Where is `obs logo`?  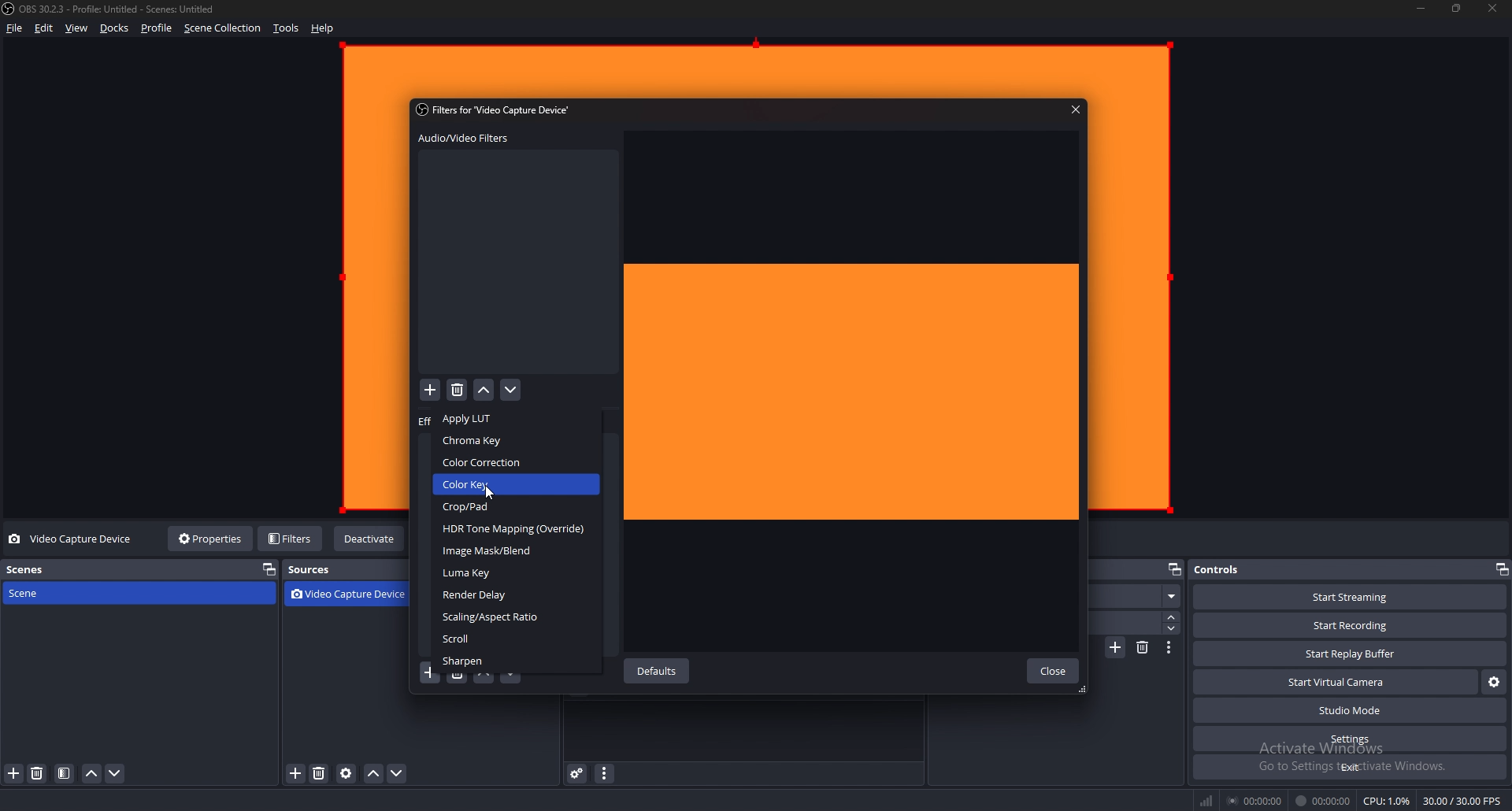 obs logo is located at coordinates (11, 10).